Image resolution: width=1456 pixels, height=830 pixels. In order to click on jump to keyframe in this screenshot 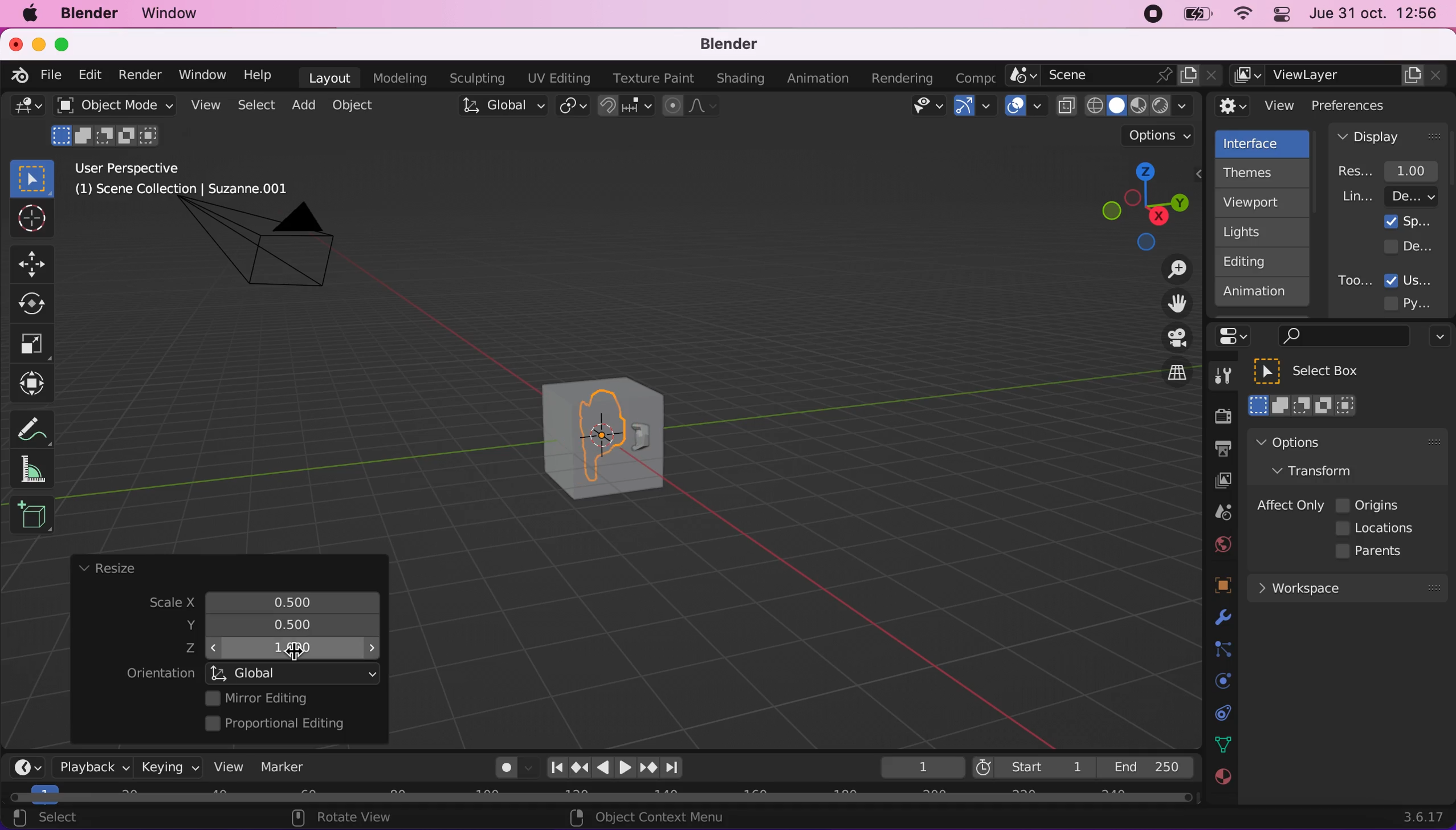, I will do `click(580, 767)`.